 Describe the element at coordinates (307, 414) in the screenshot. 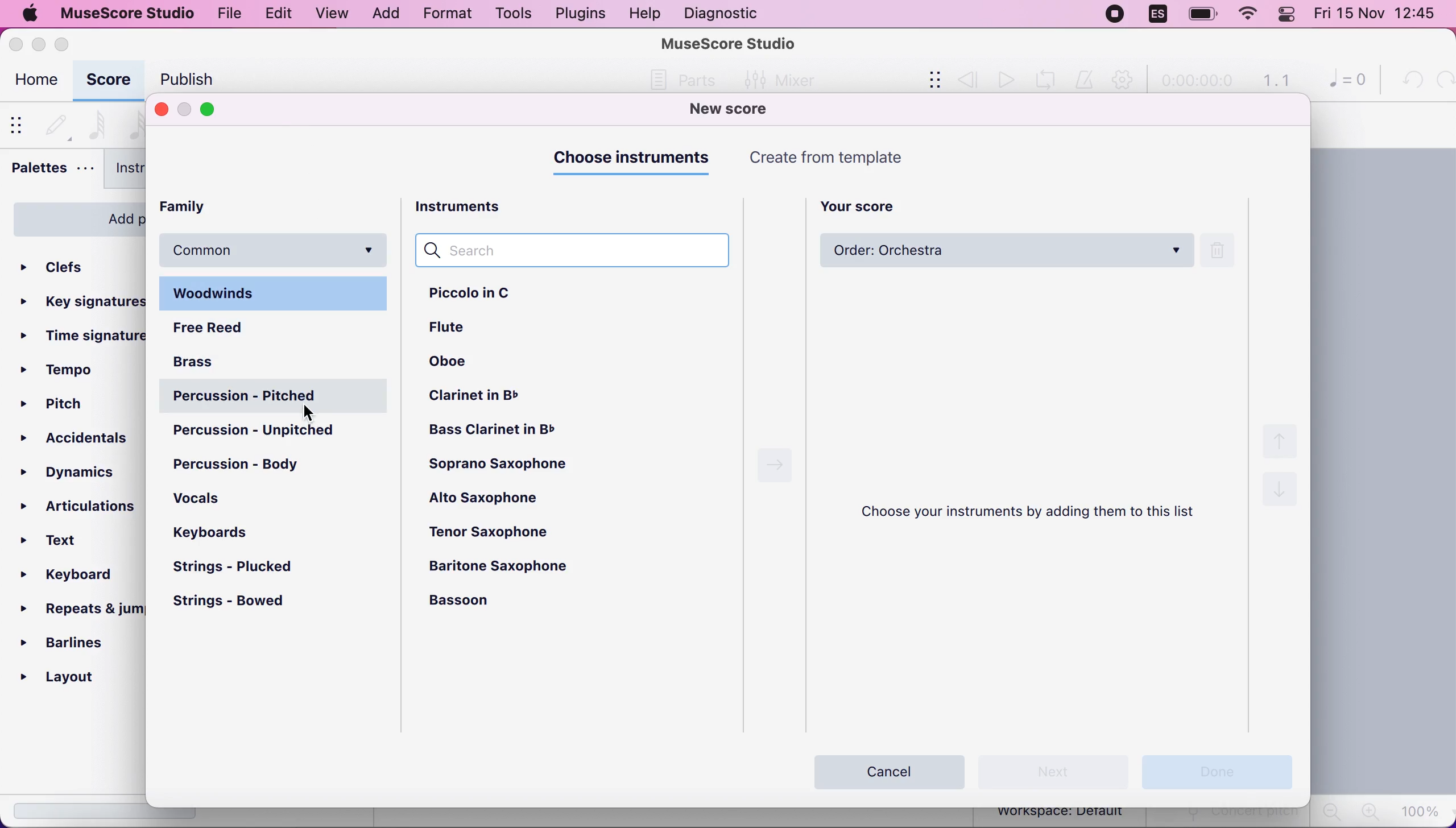

I see `Cursor` at that location.